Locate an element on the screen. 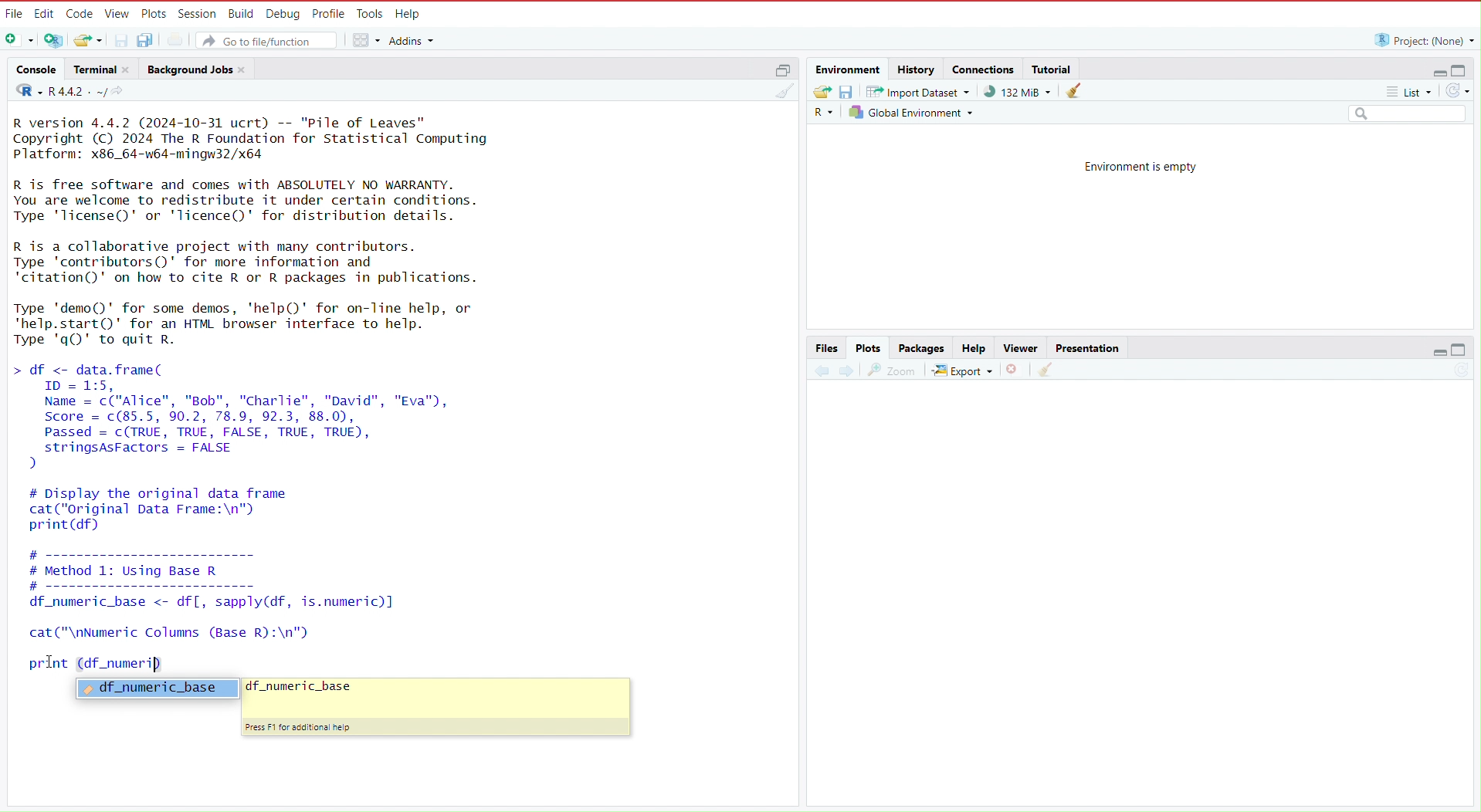 The image size is (1481, 812). Go to file/function is located at coordinates (269, 39).